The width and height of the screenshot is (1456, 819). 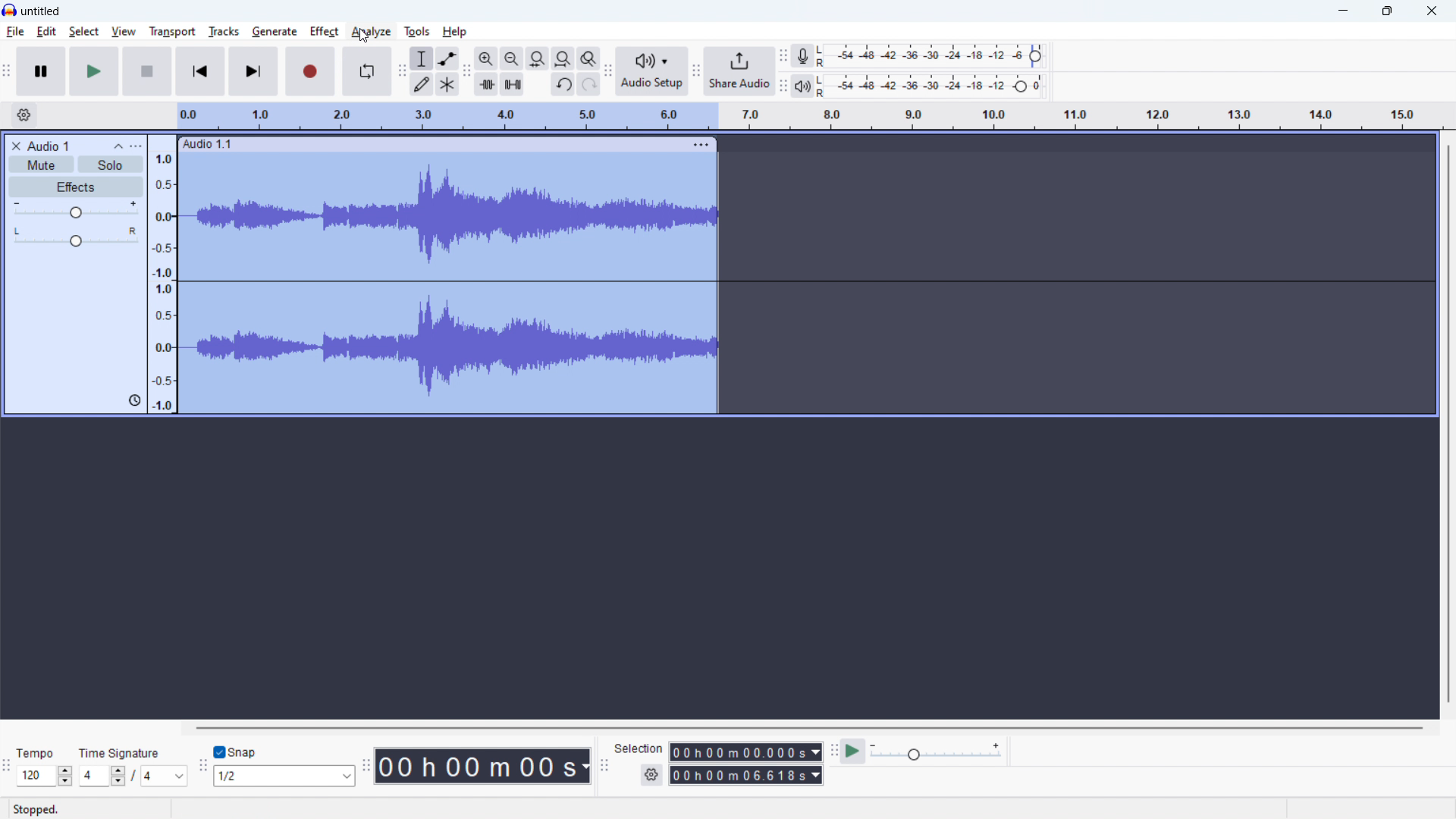 What do you see at coordinates (287, 810) in the screenshot?
I see `Click and drag to select audio` at bounding box center [287, 810].